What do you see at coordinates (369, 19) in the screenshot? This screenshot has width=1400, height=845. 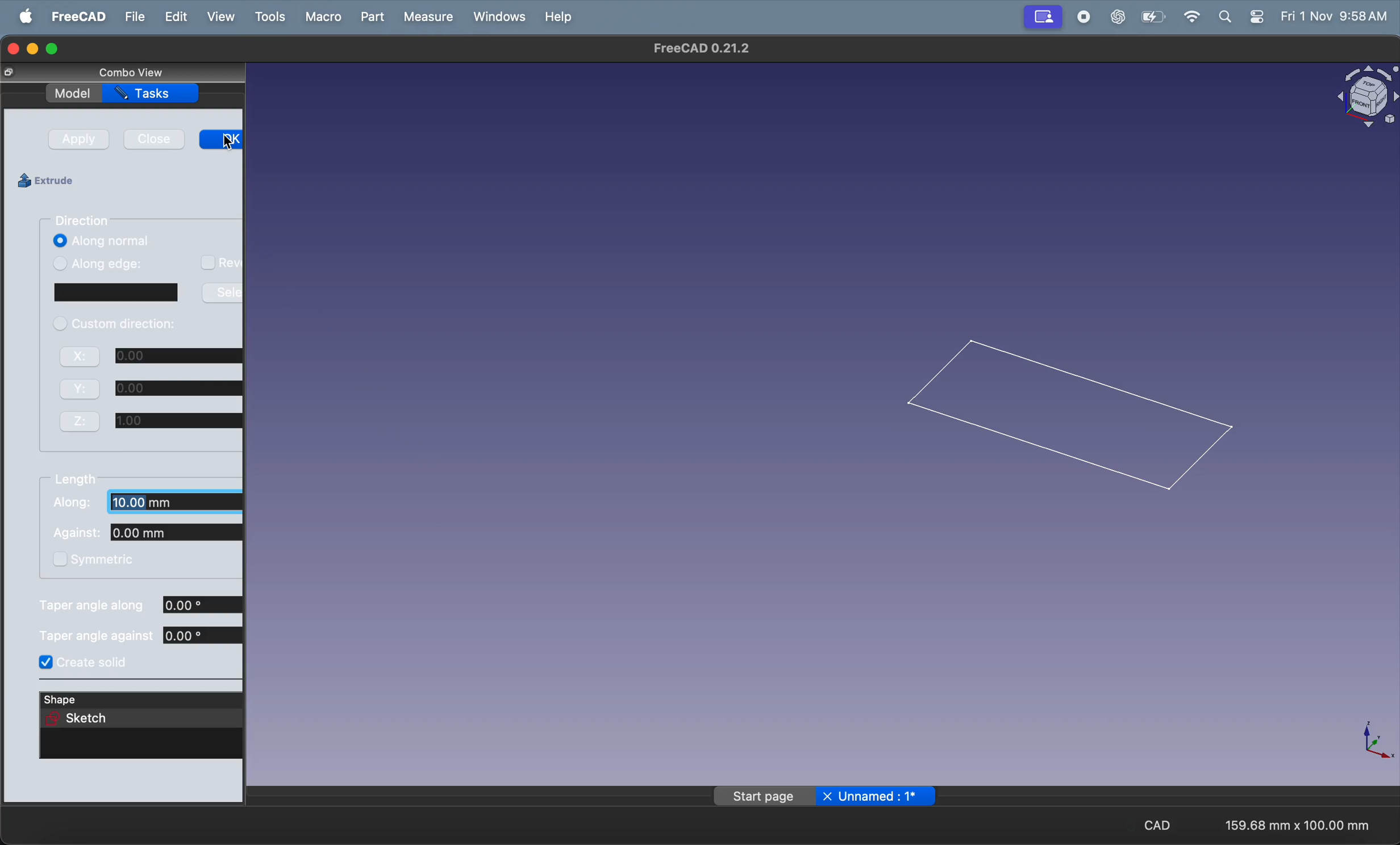 I see `part` at bounding box center [369, 19].